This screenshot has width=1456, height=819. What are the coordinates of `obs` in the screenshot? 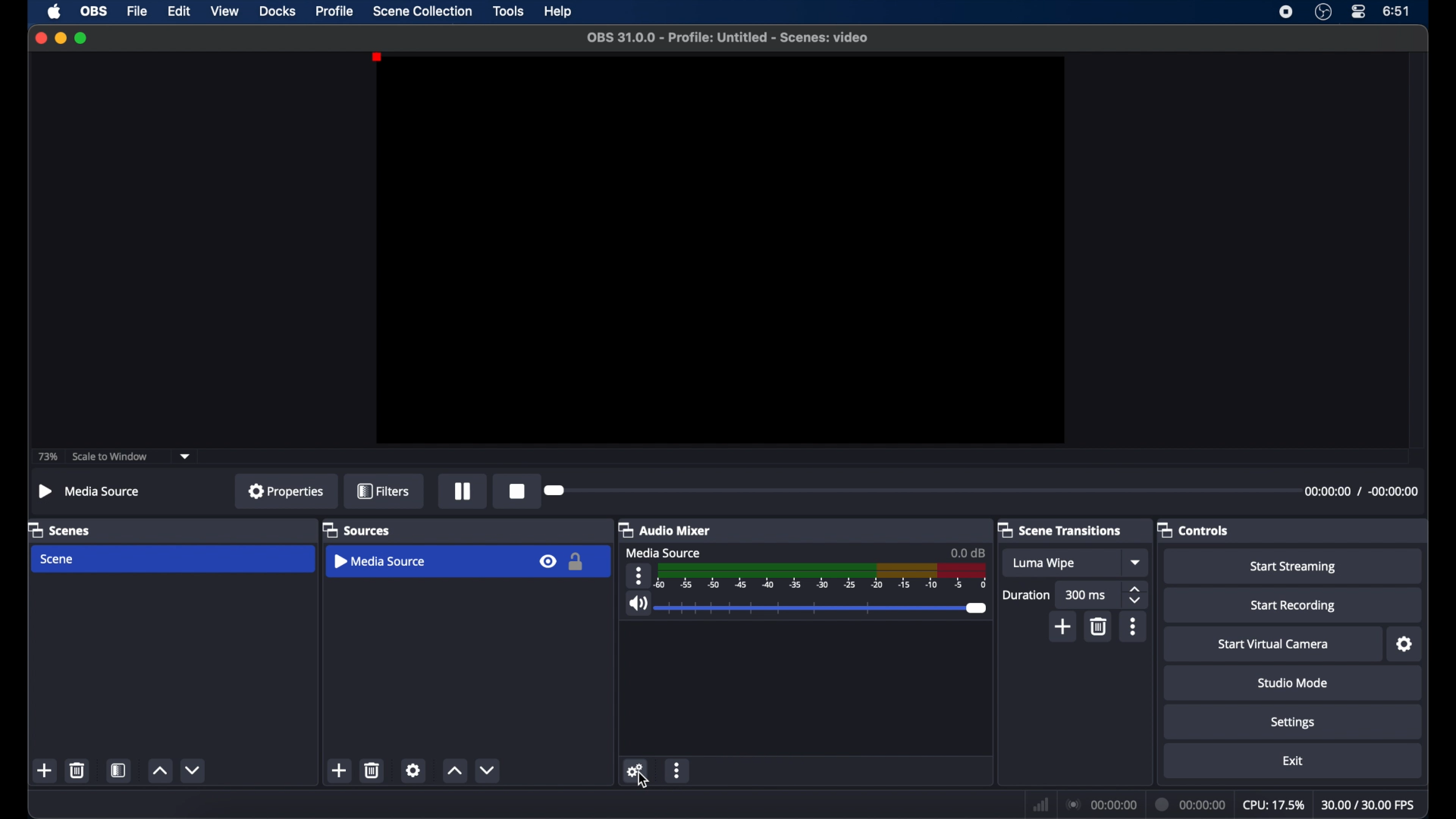 It's located at (96, 12).